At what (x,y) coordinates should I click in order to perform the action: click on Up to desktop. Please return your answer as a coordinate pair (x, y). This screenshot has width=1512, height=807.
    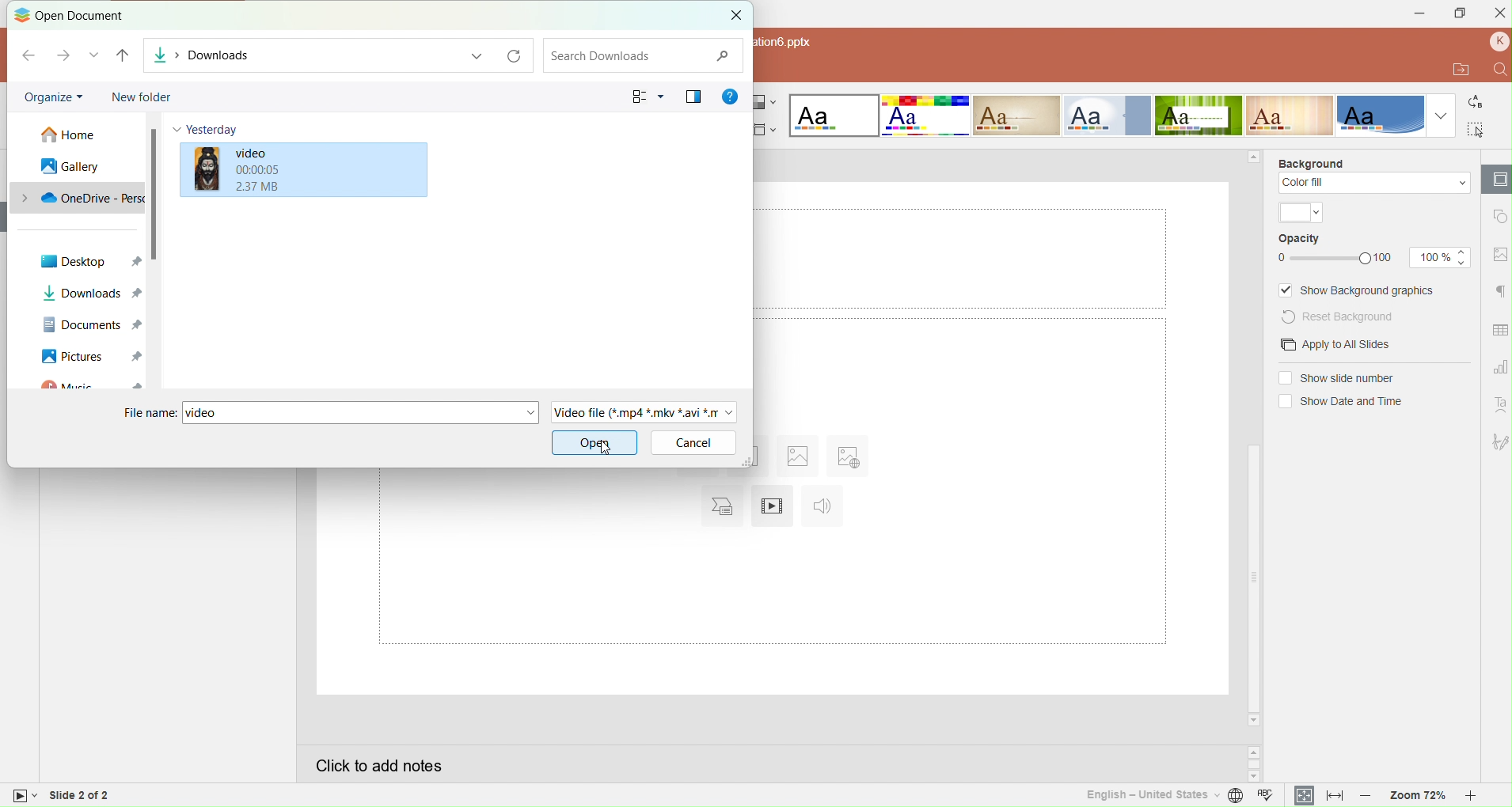
    Looking at the image, I should click on (120, 56).